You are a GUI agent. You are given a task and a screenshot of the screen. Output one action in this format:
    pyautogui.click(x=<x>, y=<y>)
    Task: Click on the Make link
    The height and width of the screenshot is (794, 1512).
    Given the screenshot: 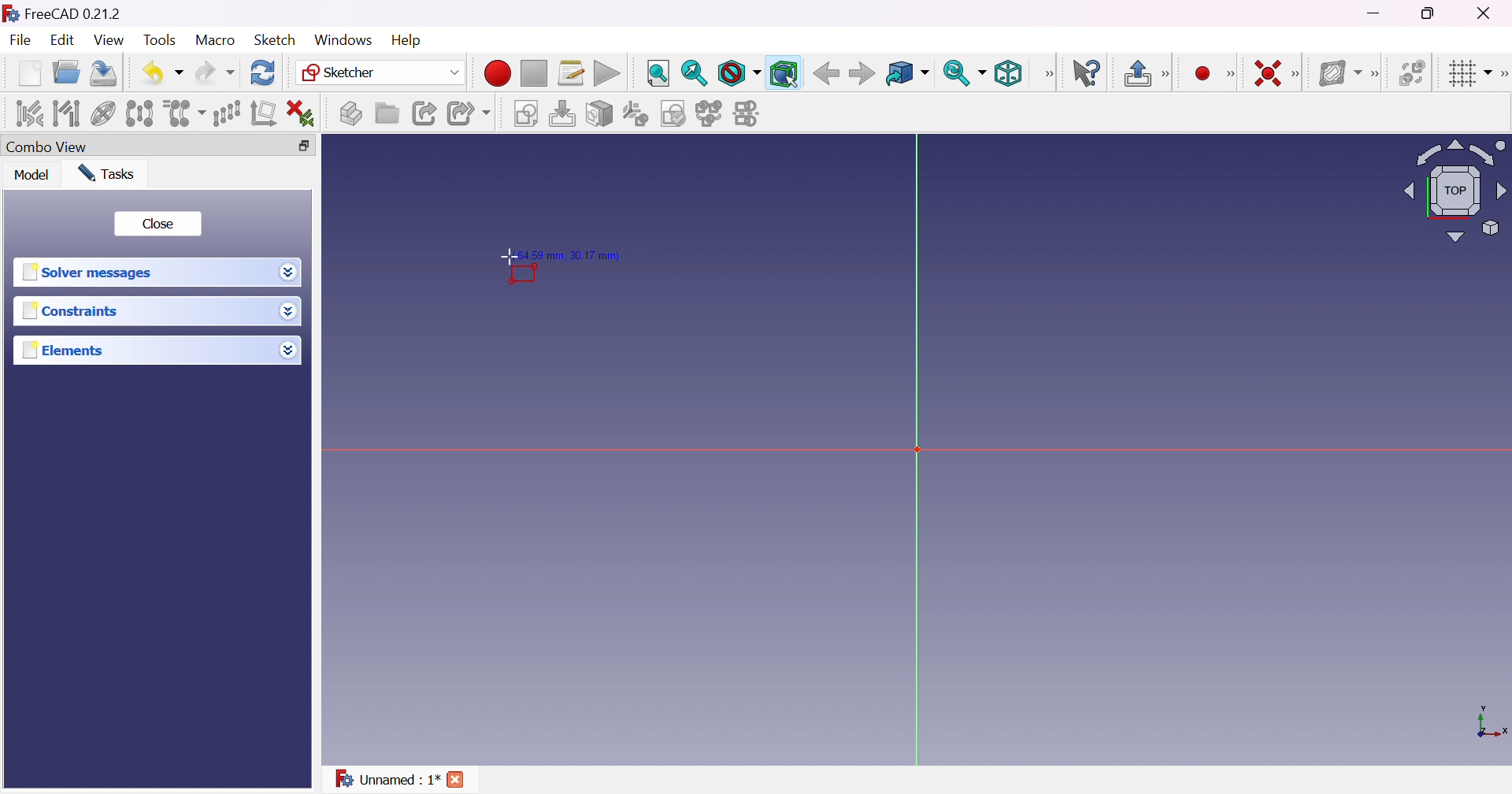 What is the action you would take?
    pyautogui.click(x=427, y=114)
    